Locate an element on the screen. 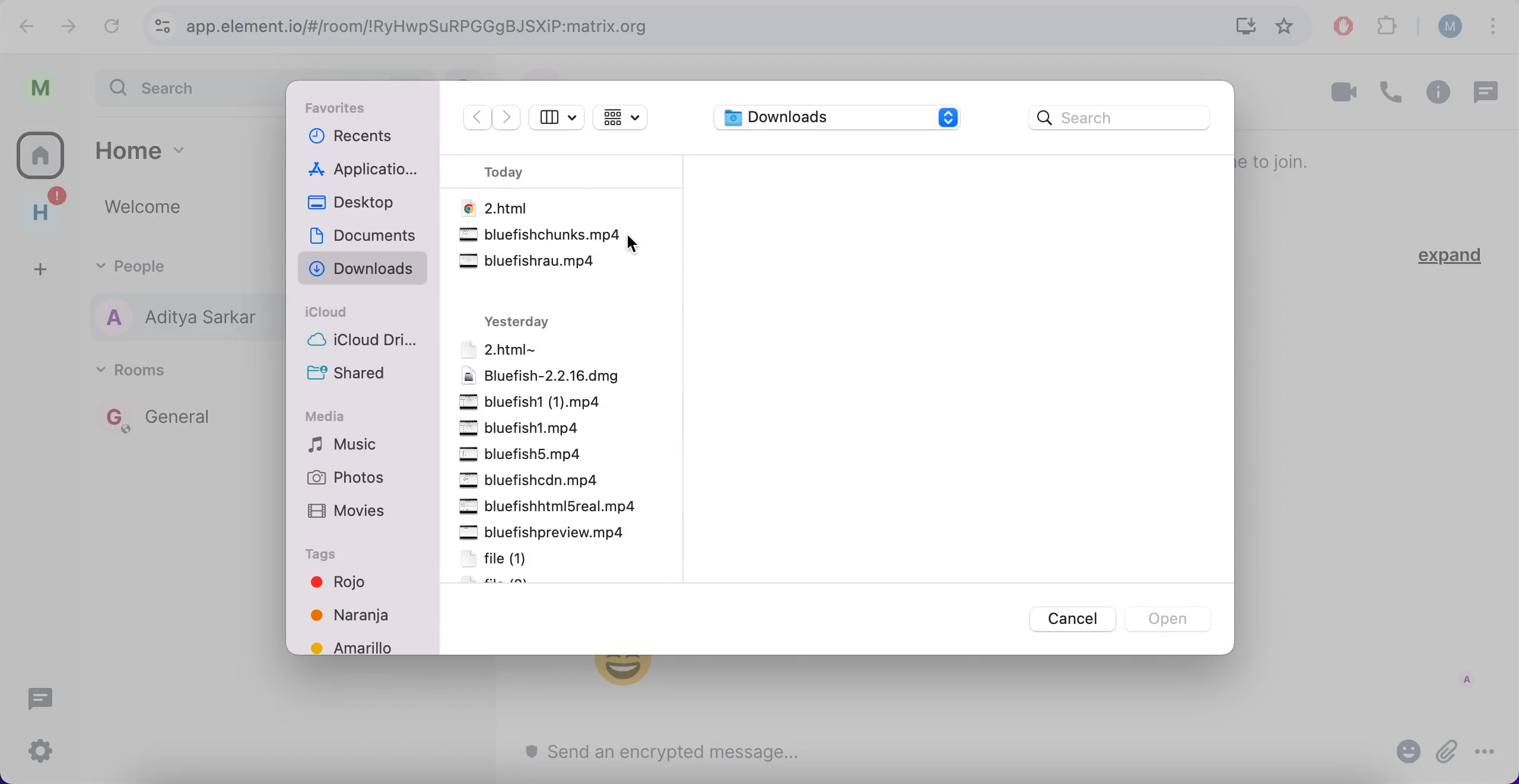  shared is located at coordinates (359, 375).